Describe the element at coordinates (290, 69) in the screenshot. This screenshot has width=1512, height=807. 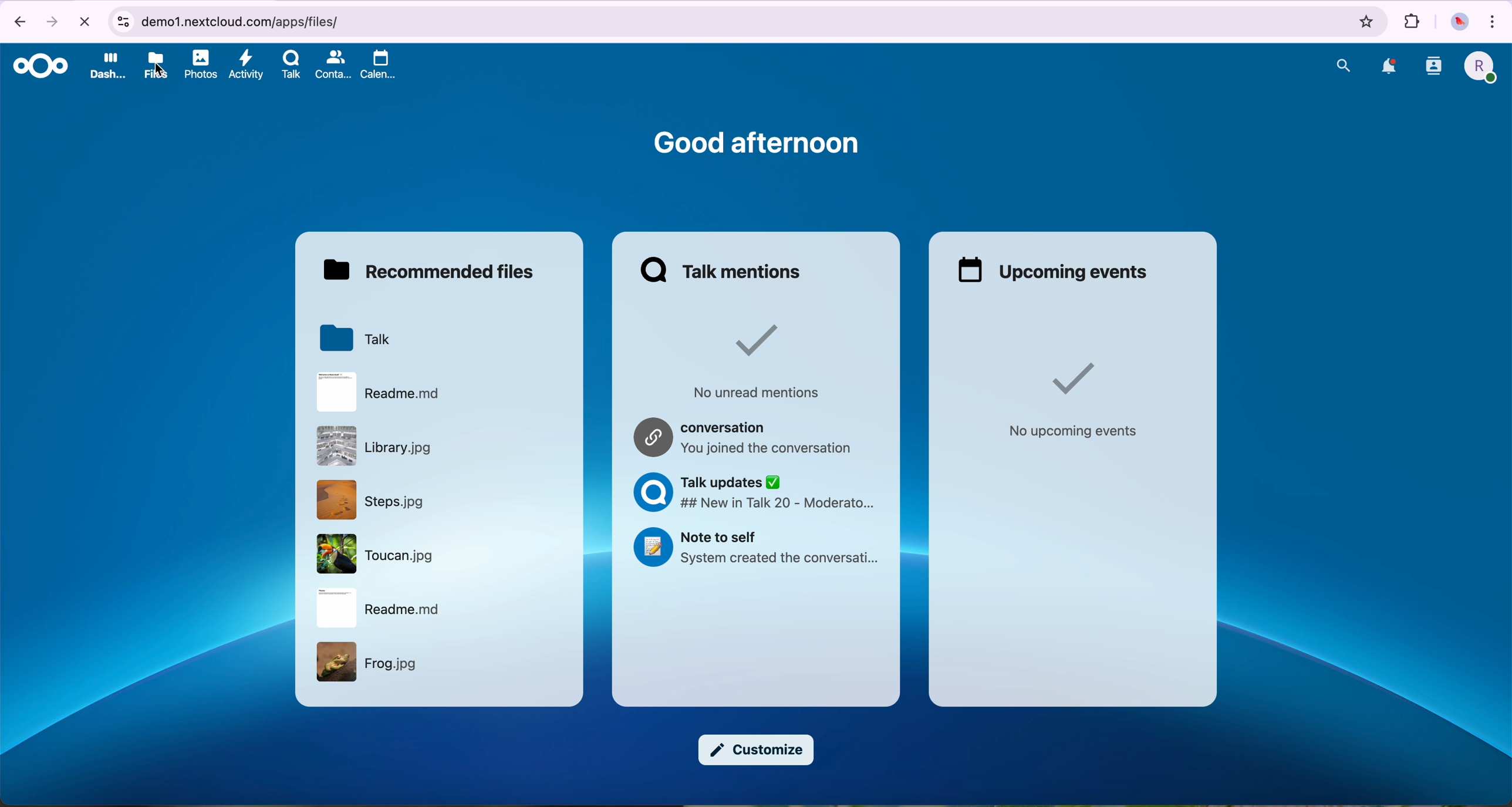
I see `talk` at that location.